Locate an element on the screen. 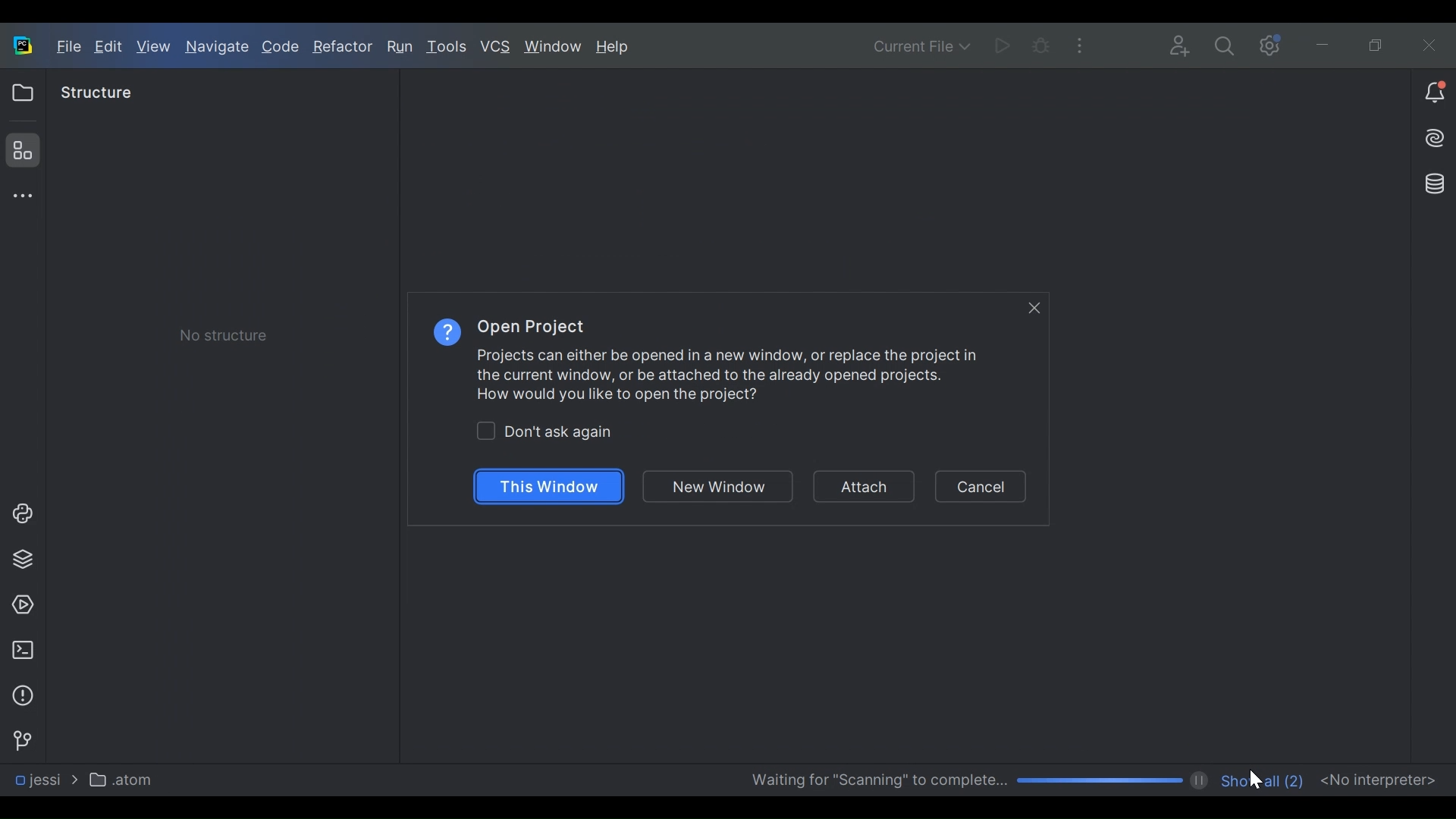 The image size is (1456, 819). Open Project is located at coordinates (533, 323).